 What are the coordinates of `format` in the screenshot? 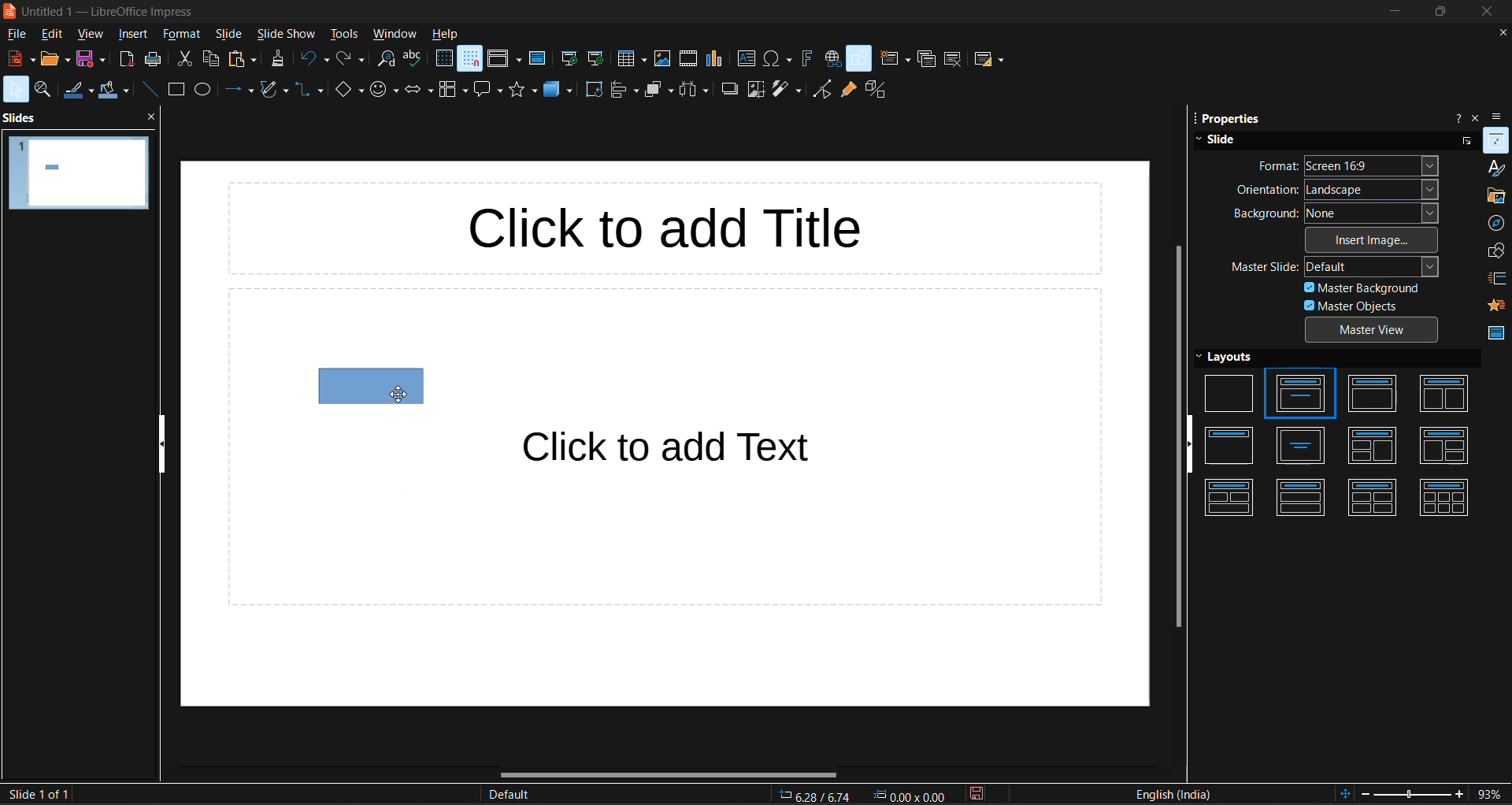 It's located at (1354, 165).